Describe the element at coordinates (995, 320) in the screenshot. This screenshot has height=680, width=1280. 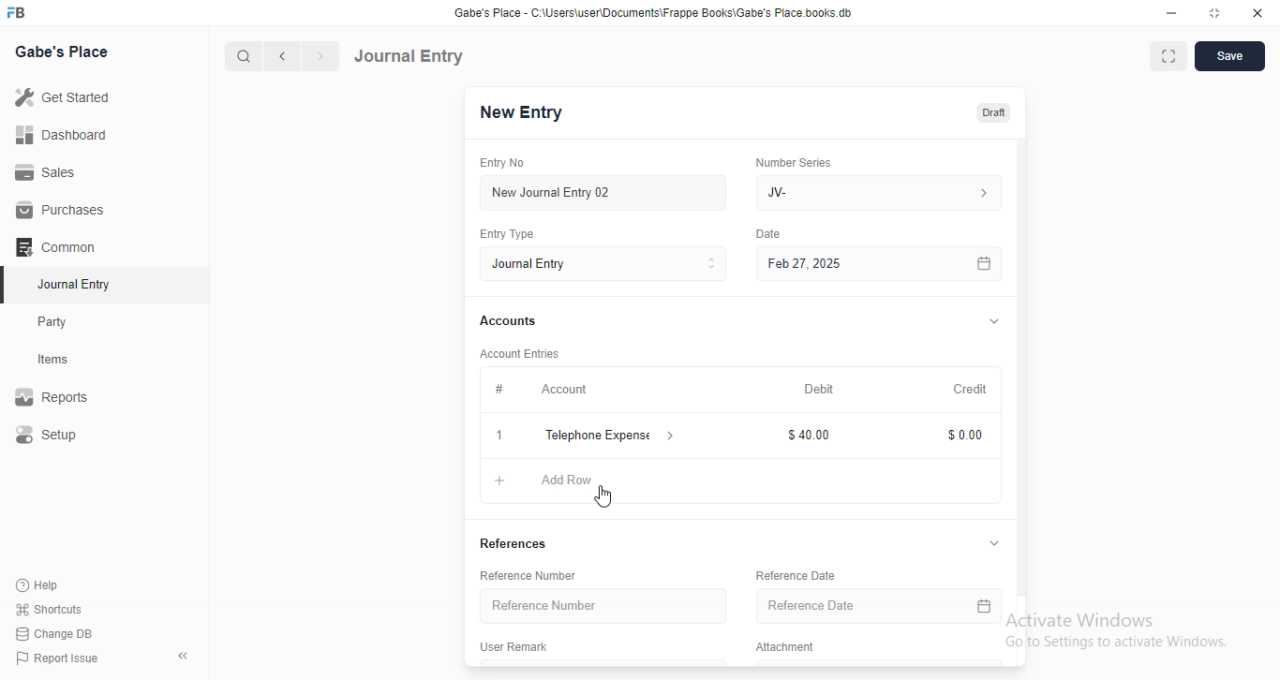
I see `Hide` at that location.